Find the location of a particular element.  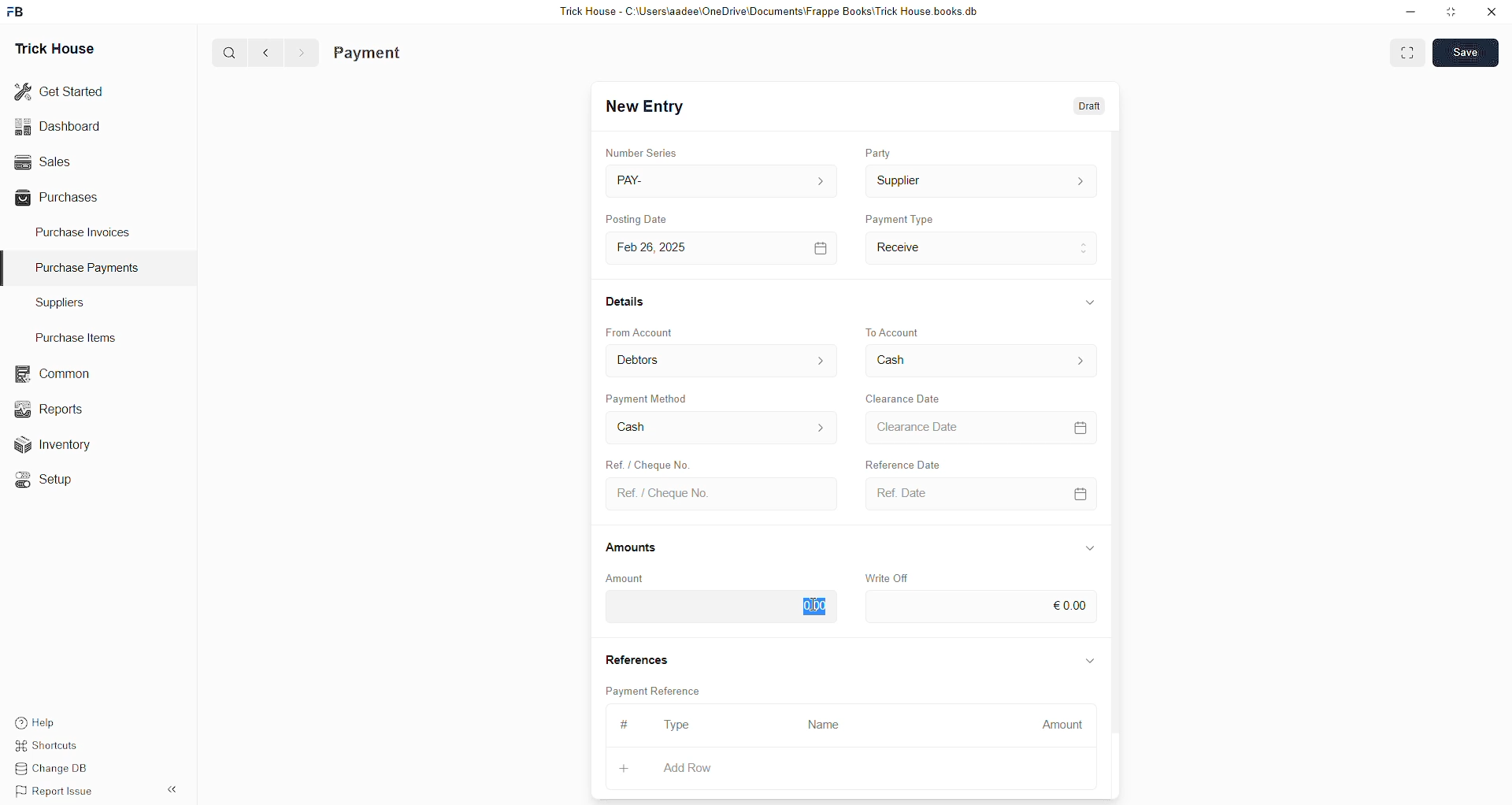

Sales is located at coordinates (45, 161).